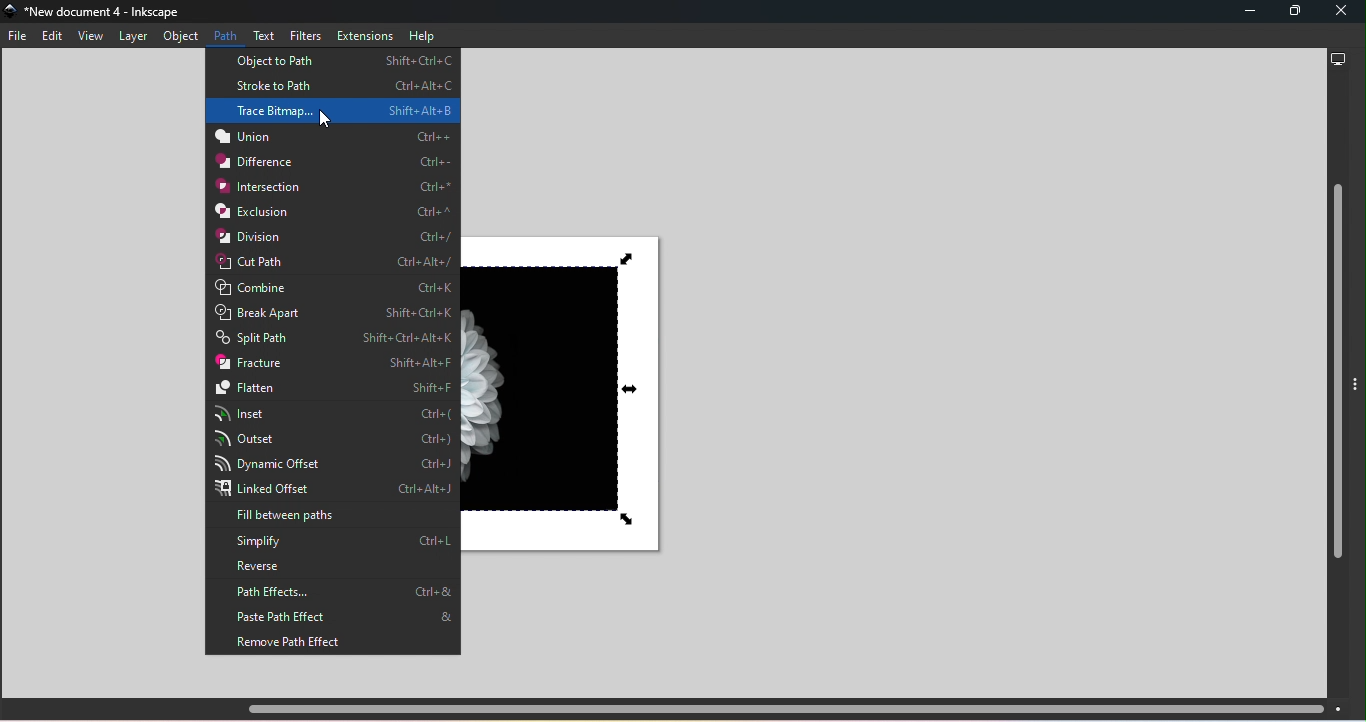 The width and height of the screenshot is (1366, 722). Describe the element at coordinates (334, 390) in the screenshot. I see `Flatten` at that location.